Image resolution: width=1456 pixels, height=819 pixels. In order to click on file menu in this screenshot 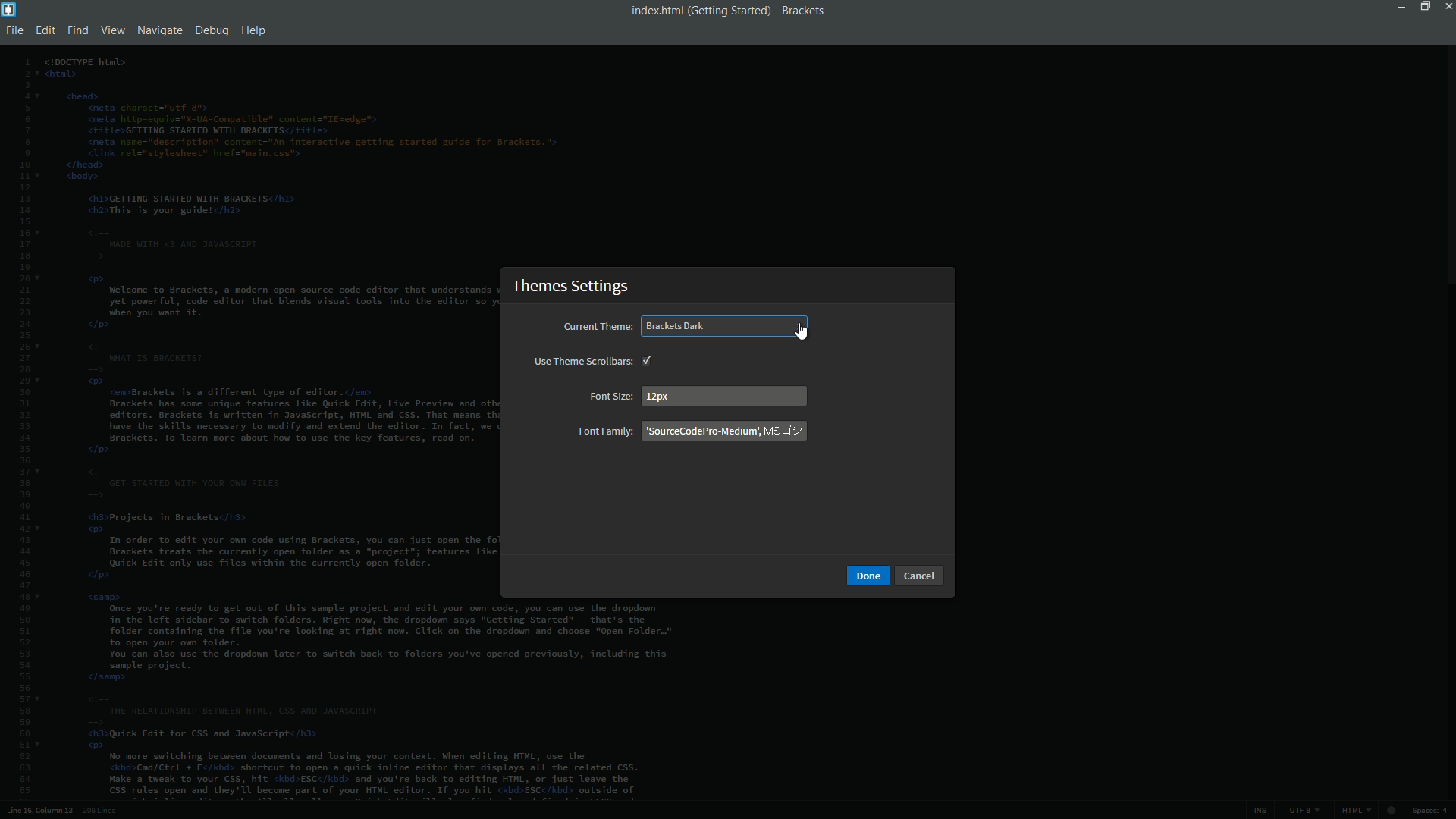, I will do `click(13, 30)`.